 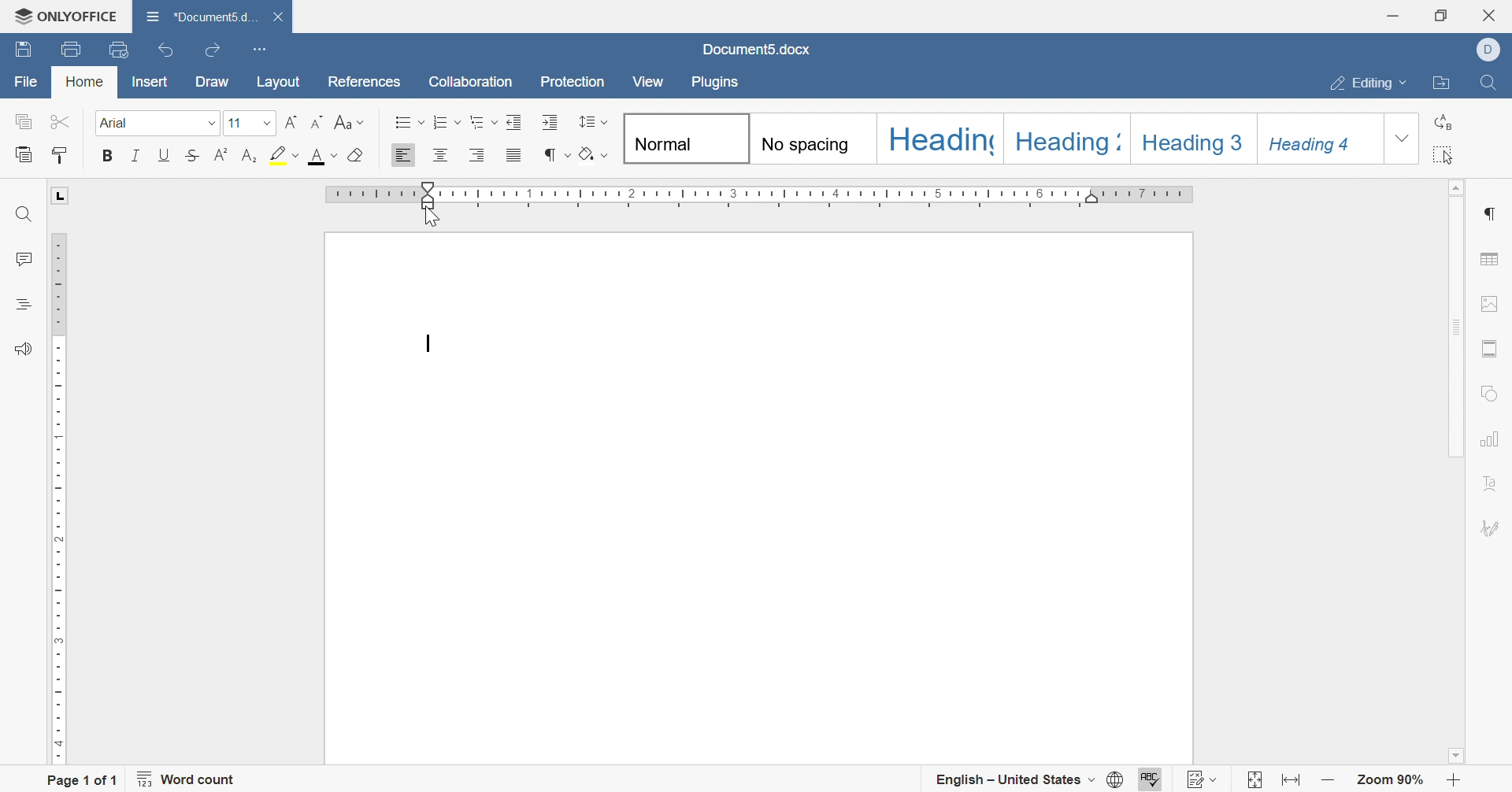 I want to click on scroll up, so click(x=1459, y=185).